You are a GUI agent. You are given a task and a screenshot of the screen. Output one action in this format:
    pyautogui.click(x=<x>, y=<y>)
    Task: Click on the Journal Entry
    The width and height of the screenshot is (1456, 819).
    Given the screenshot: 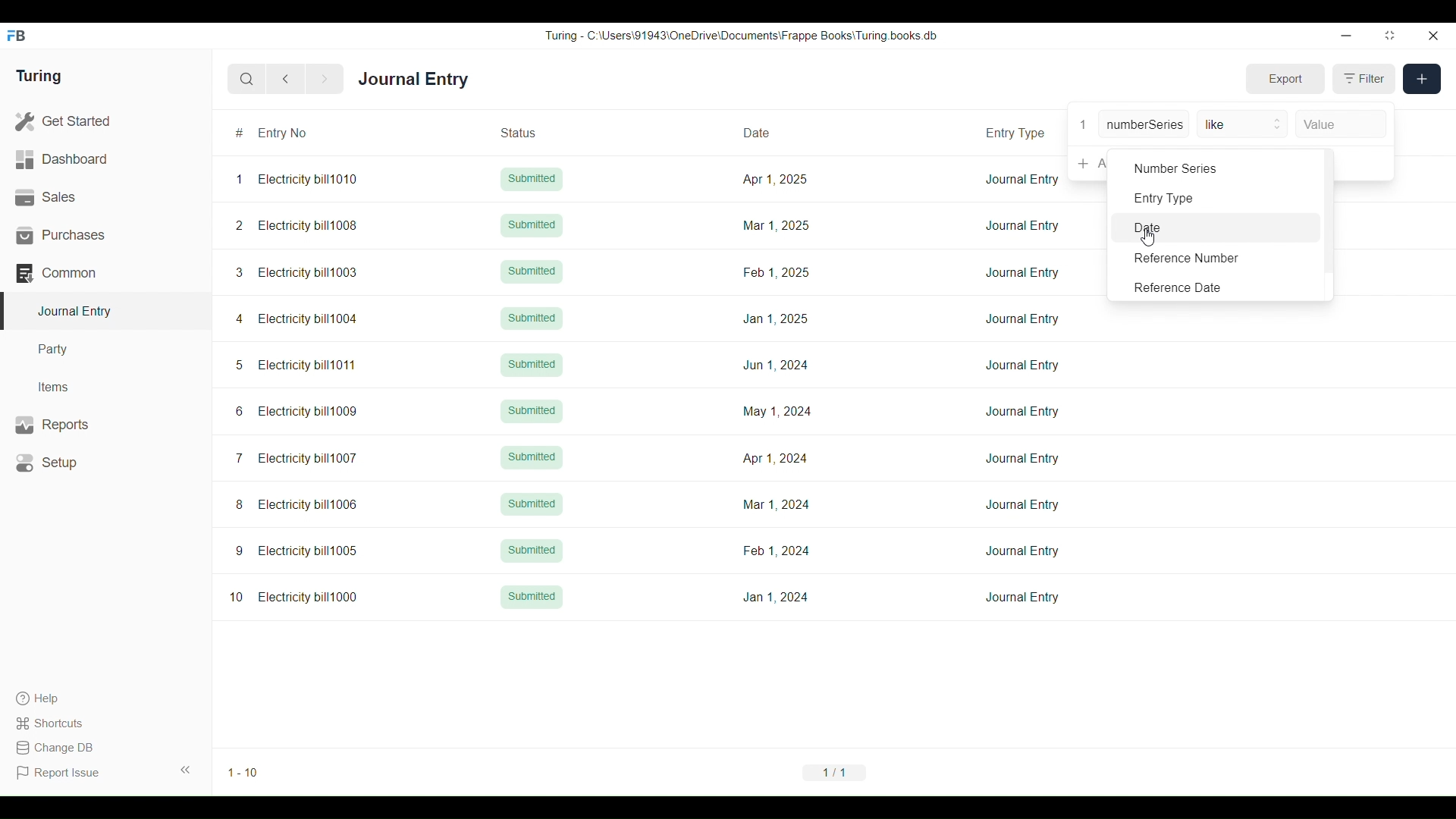 What is the action you would take?
    pyautogui.click(x=1022, y=551)
    